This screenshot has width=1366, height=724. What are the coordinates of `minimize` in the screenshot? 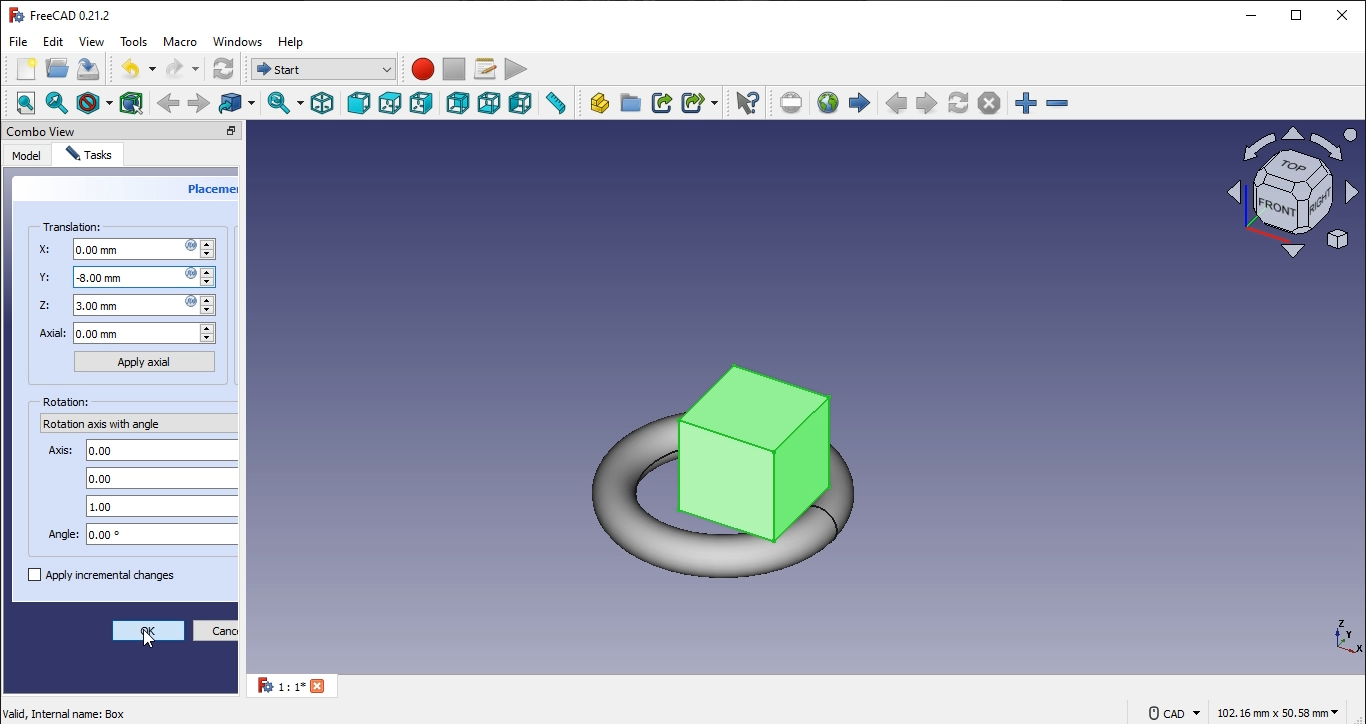 It's located at (1252, 14).